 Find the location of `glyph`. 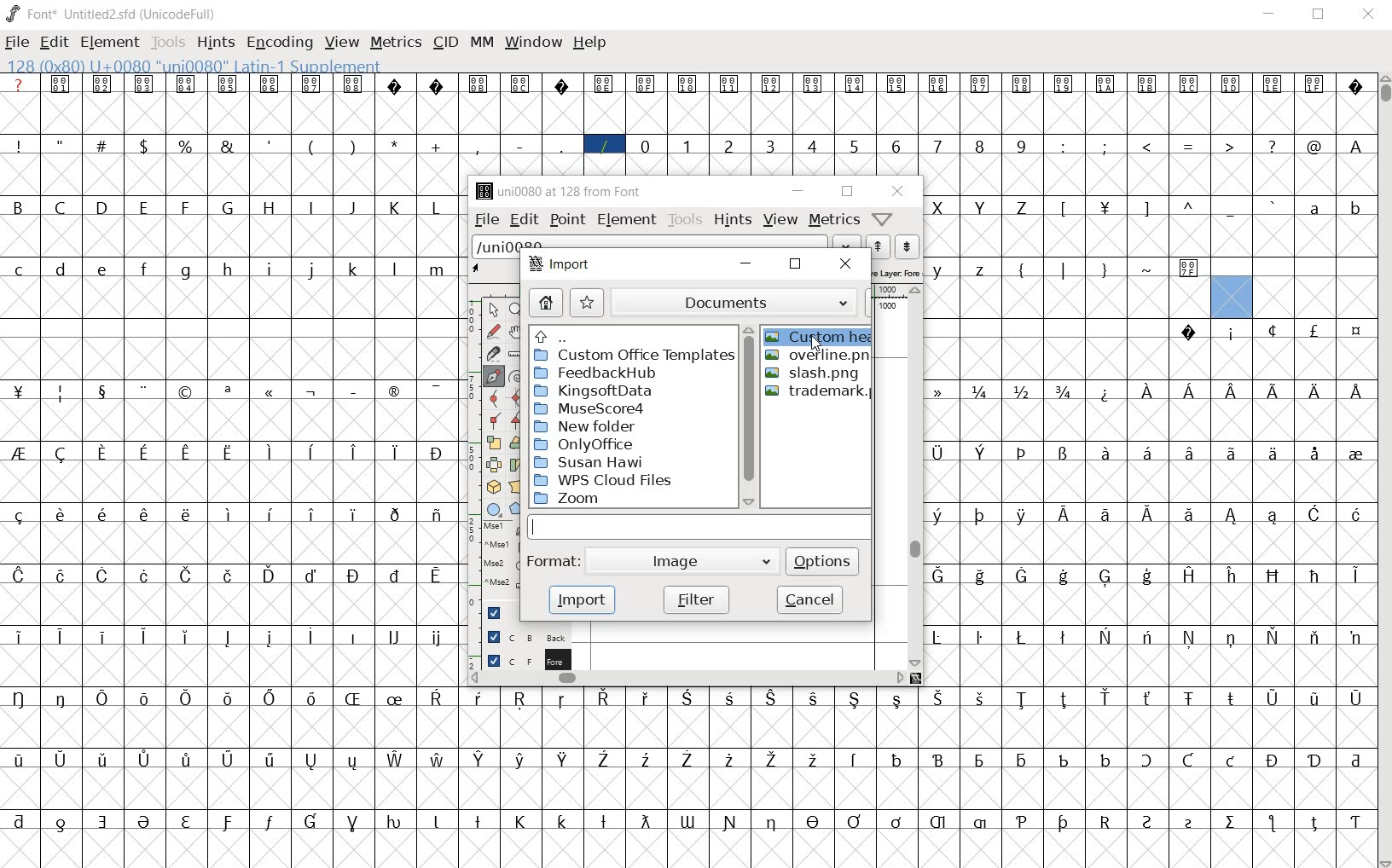

glyph is located at coordinates (562, 821).